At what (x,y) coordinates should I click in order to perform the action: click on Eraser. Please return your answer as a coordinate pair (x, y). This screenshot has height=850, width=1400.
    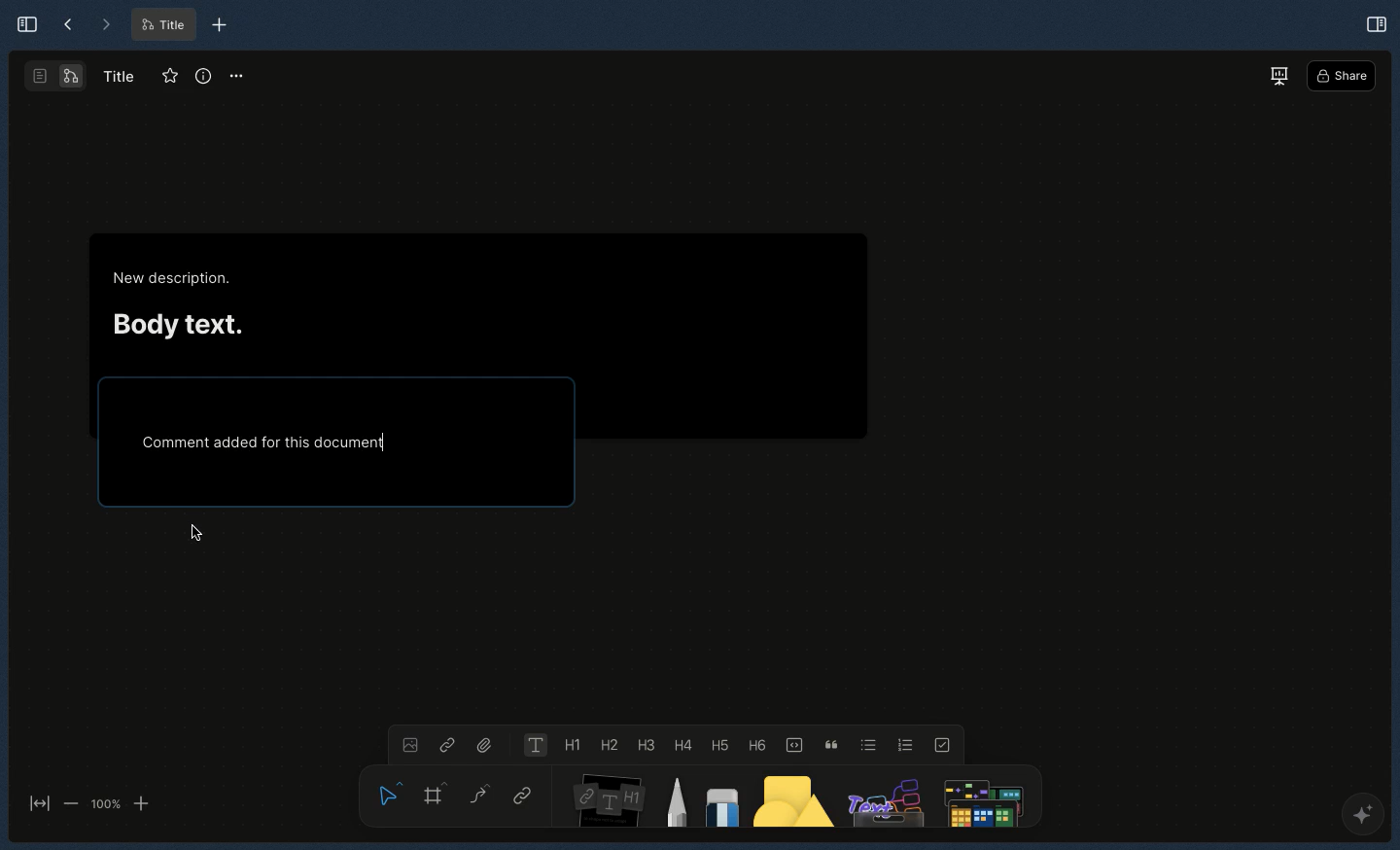
    Looking at the image, I should click on (720, 802).